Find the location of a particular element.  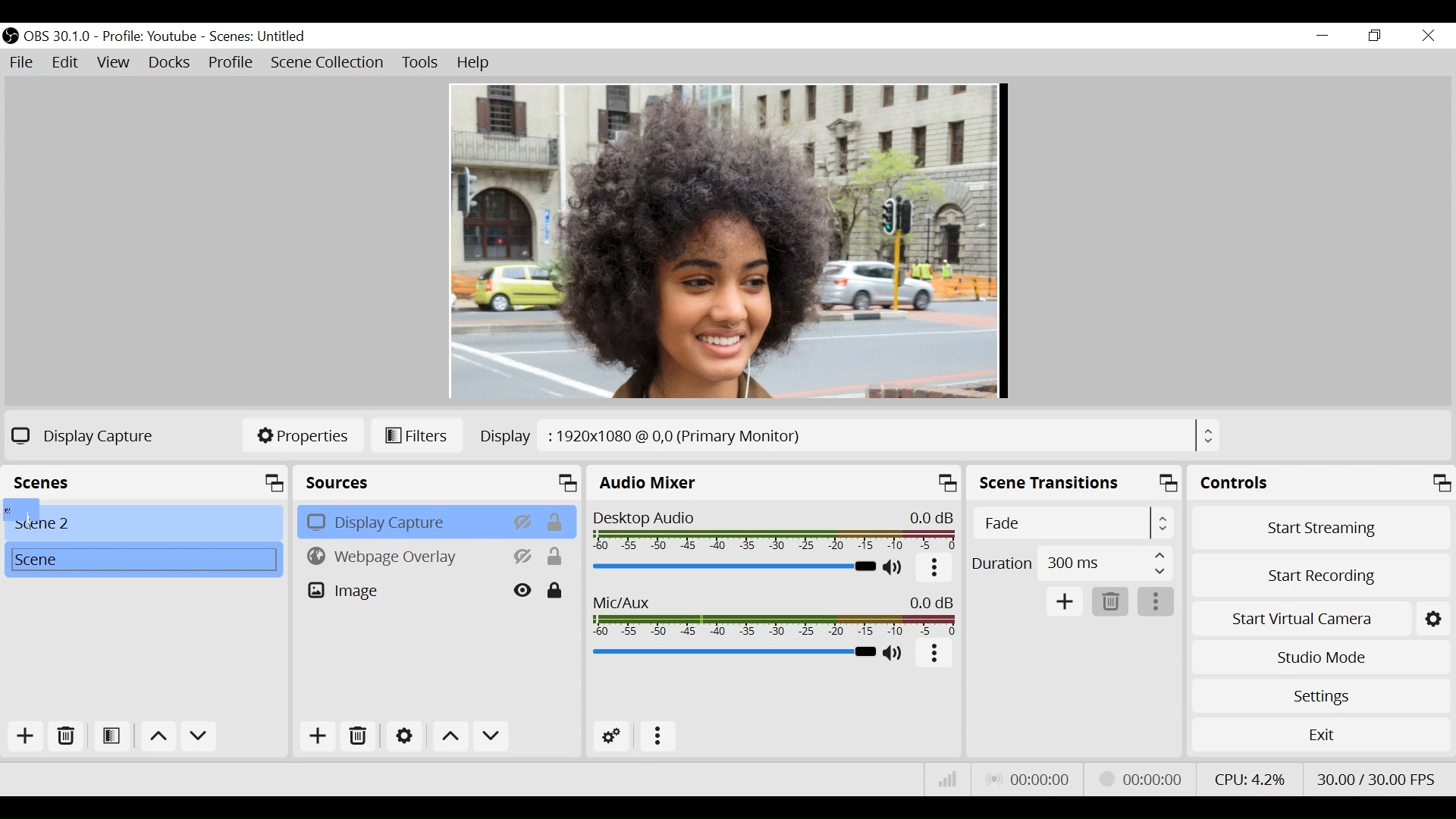

Profile is located at coordinates (152, 37).